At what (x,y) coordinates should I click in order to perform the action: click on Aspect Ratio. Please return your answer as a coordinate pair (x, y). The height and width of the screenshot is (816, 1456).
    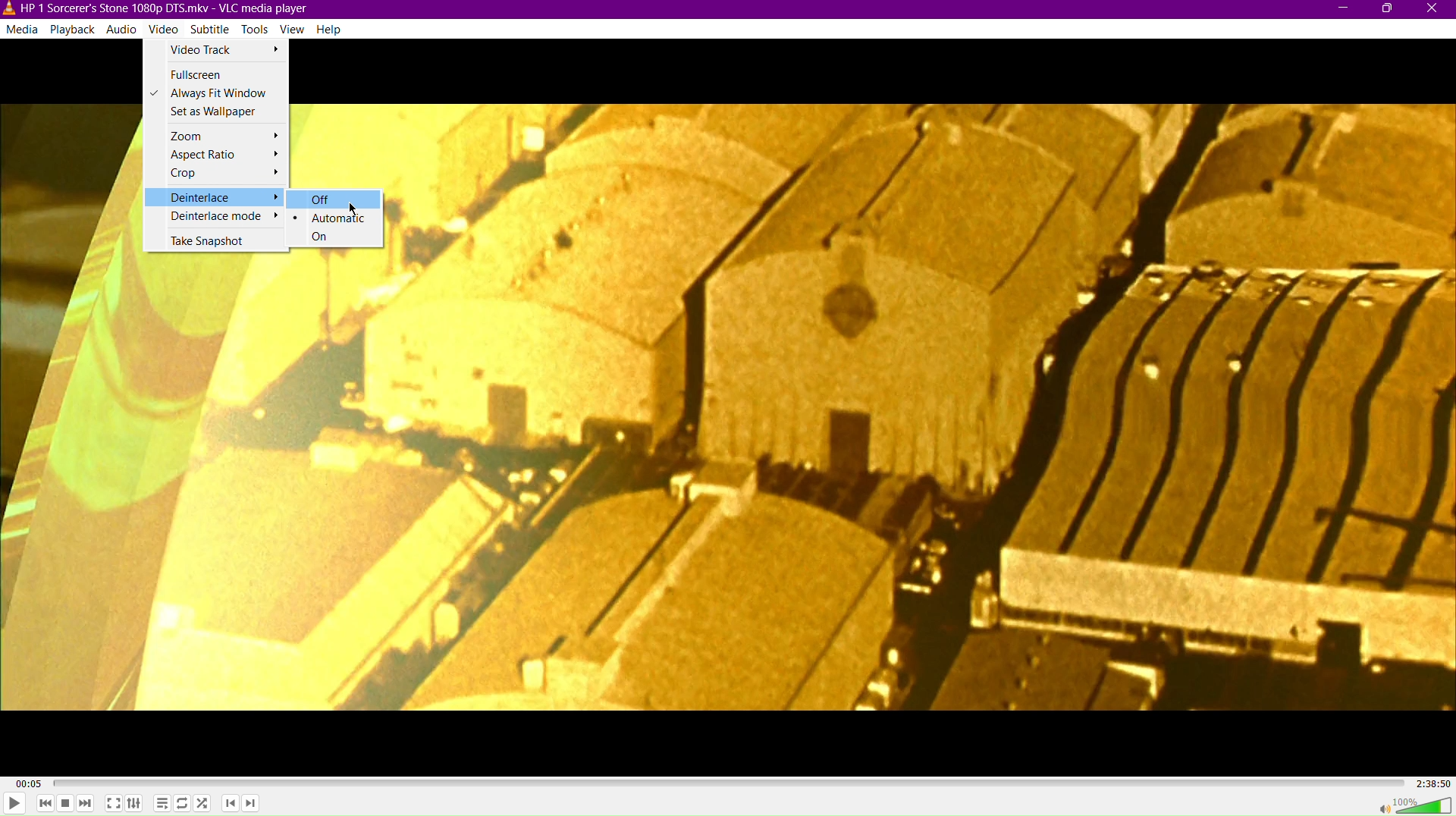
    Looking at the image, I should click on (215, 156).